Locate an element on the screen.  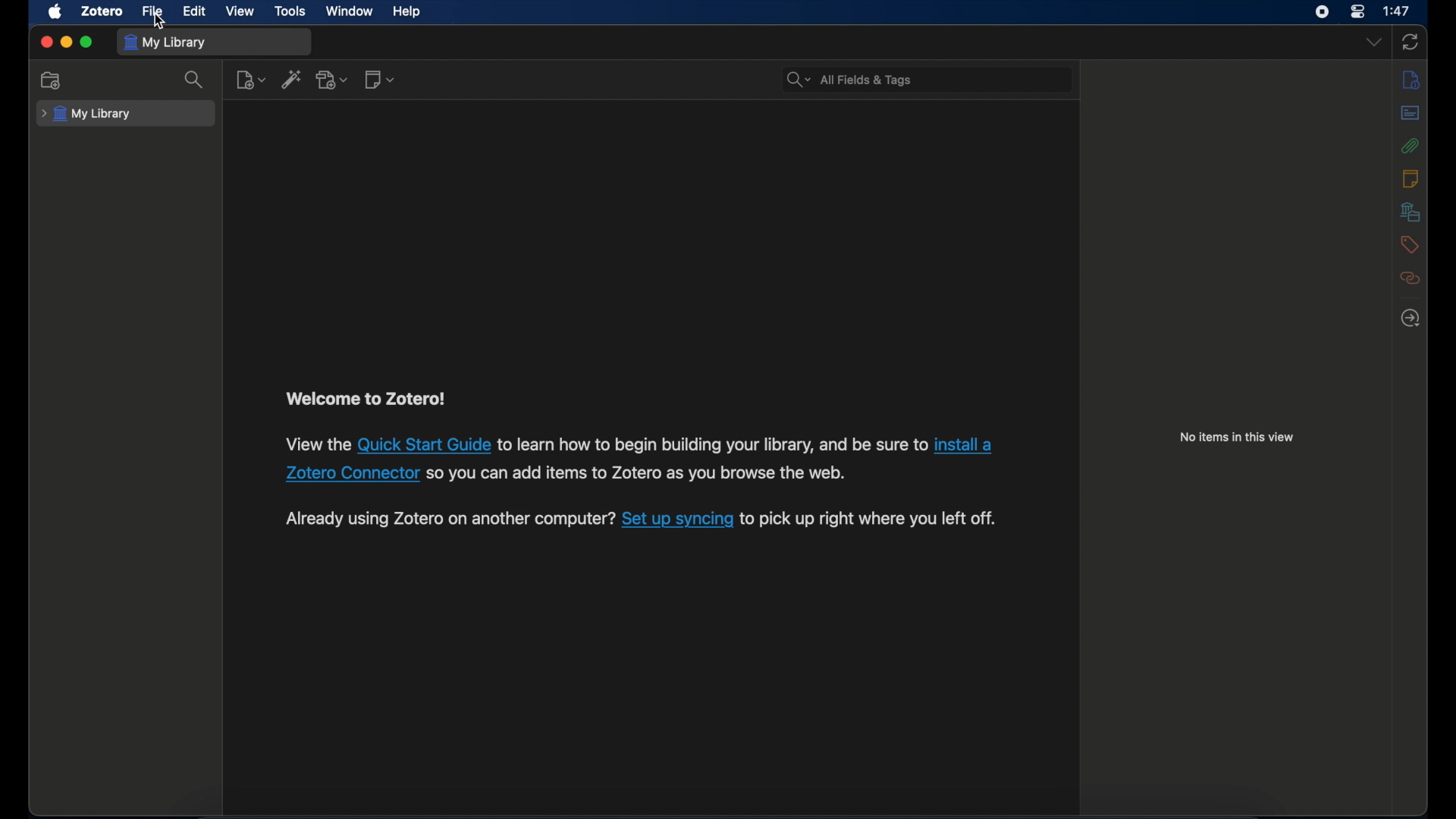
view is located at coordinates (241, 11).